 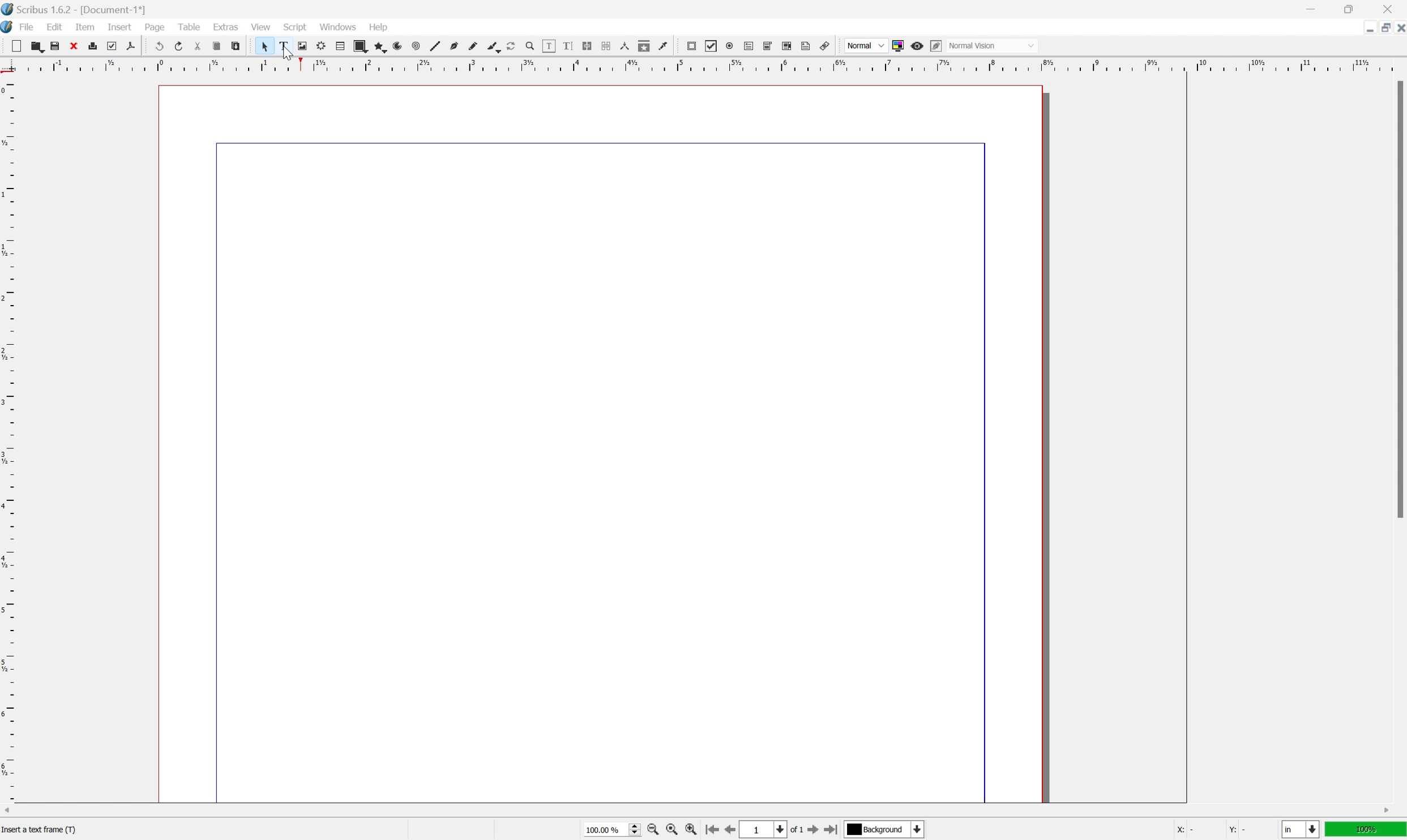 I want to click on pdf combo box, so click(x=767, y=45).